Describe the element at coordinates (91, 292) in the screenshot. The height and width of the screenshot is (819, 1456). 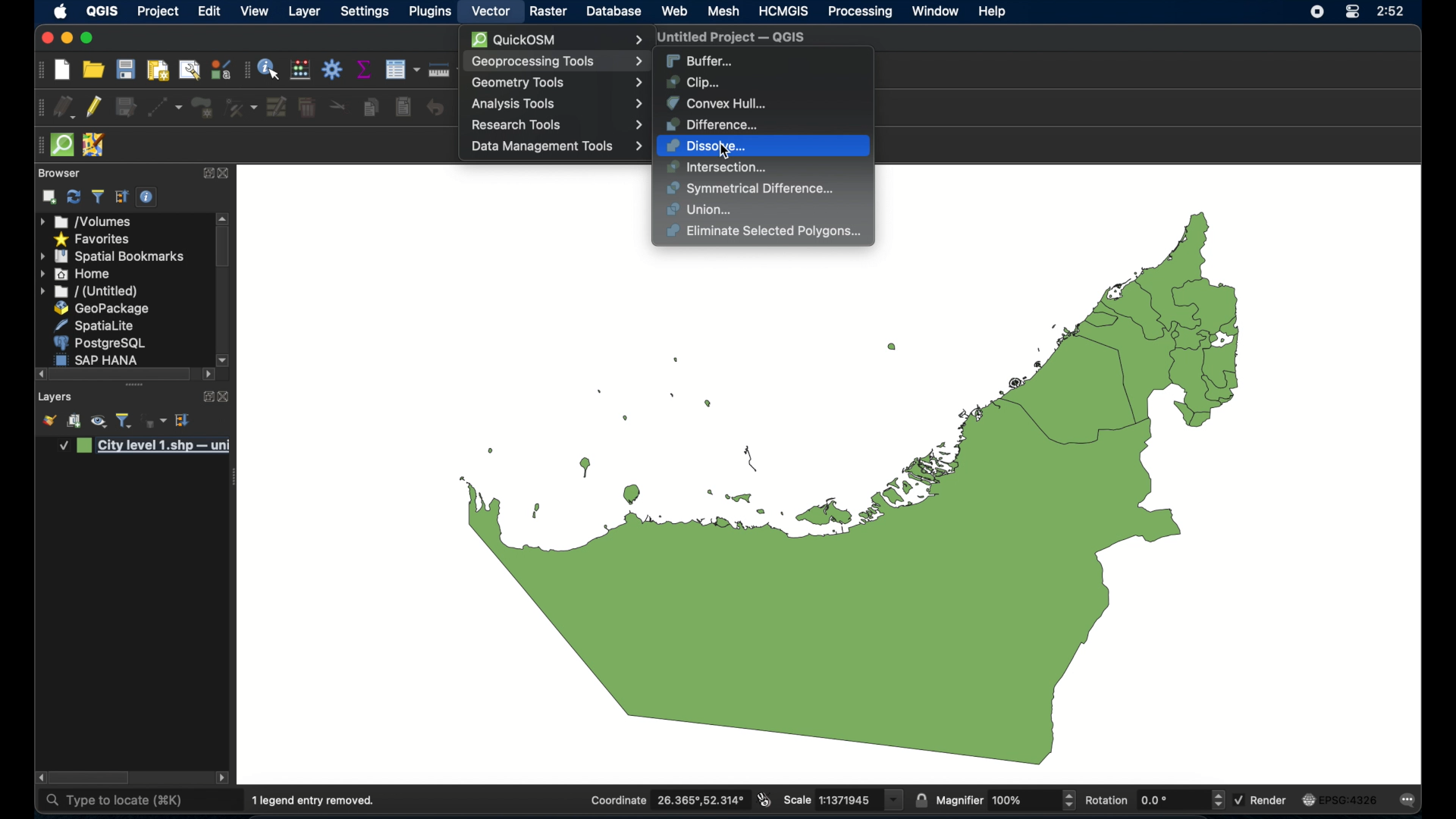
I see `untitled folder` at that location.